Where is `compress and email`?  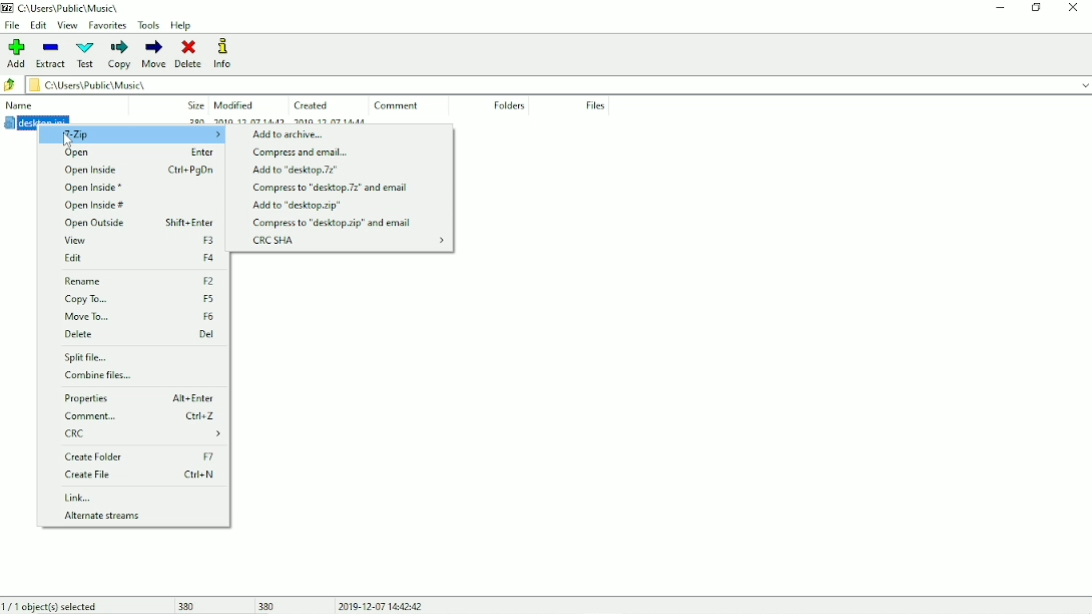
compress and email is located at coordinates (301, 152).